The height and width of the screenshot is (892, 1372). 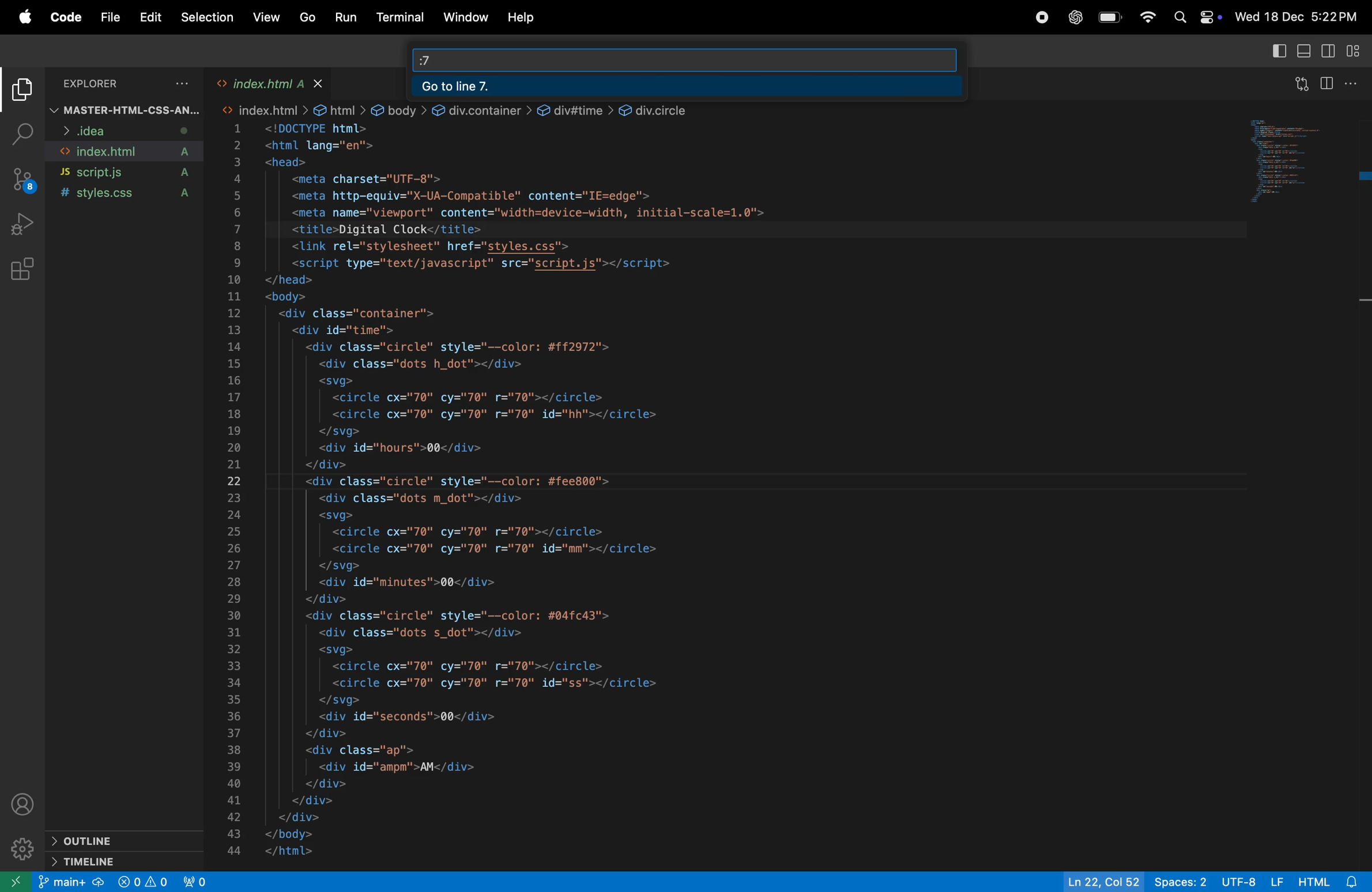 I want to click on open another window, so click(x=16, y=881).